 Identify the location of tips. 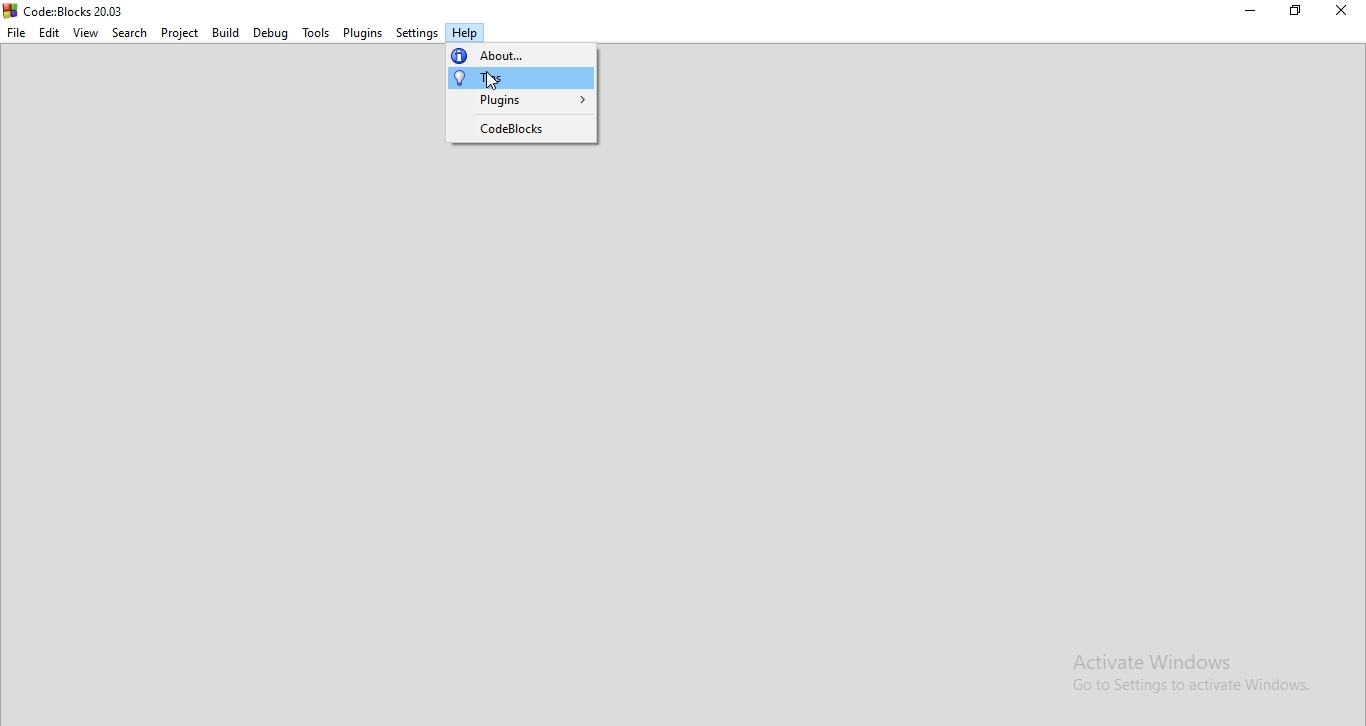
(520, 78).